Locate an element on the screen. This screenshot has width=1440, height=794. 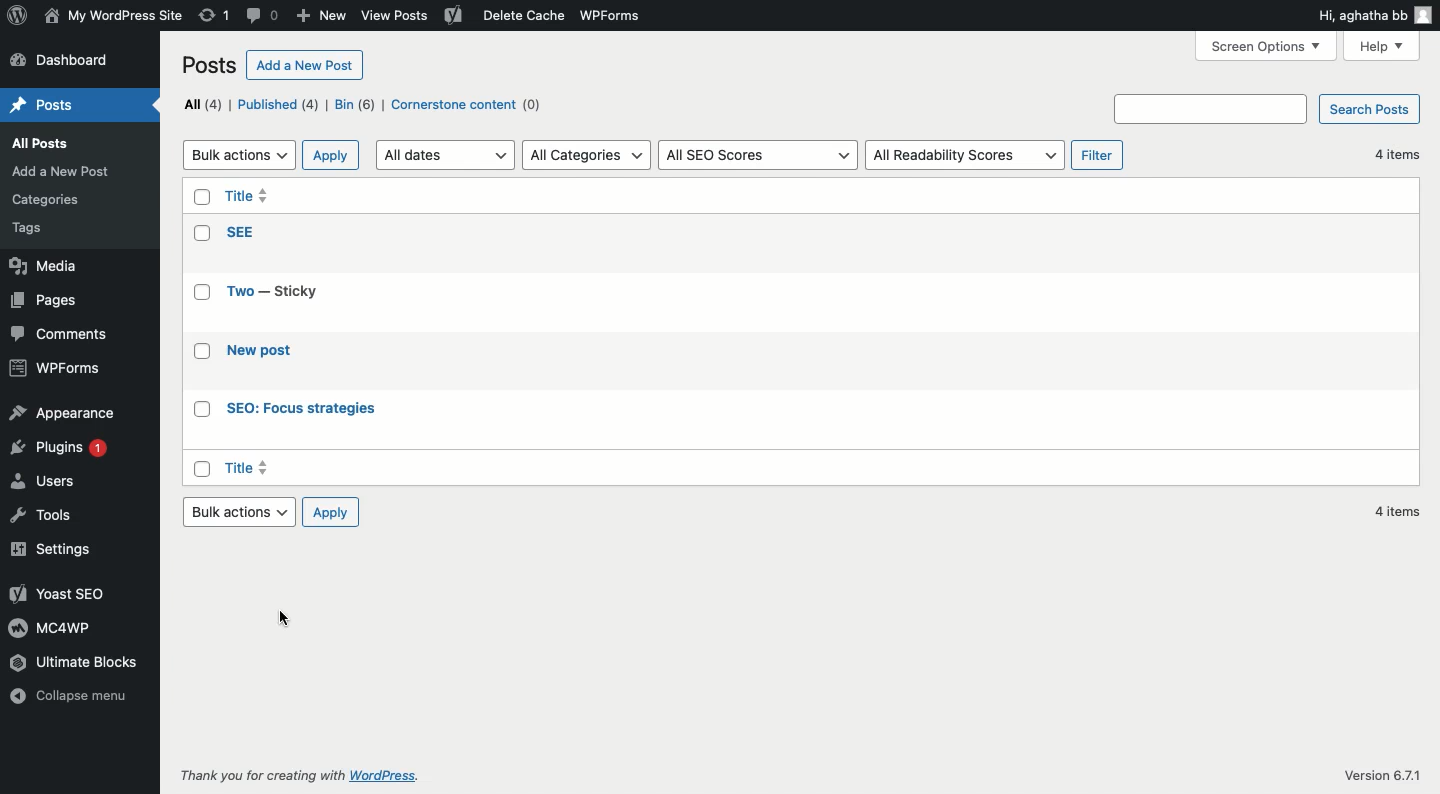
Ultimate blocks is located at coordinates (89, 663).